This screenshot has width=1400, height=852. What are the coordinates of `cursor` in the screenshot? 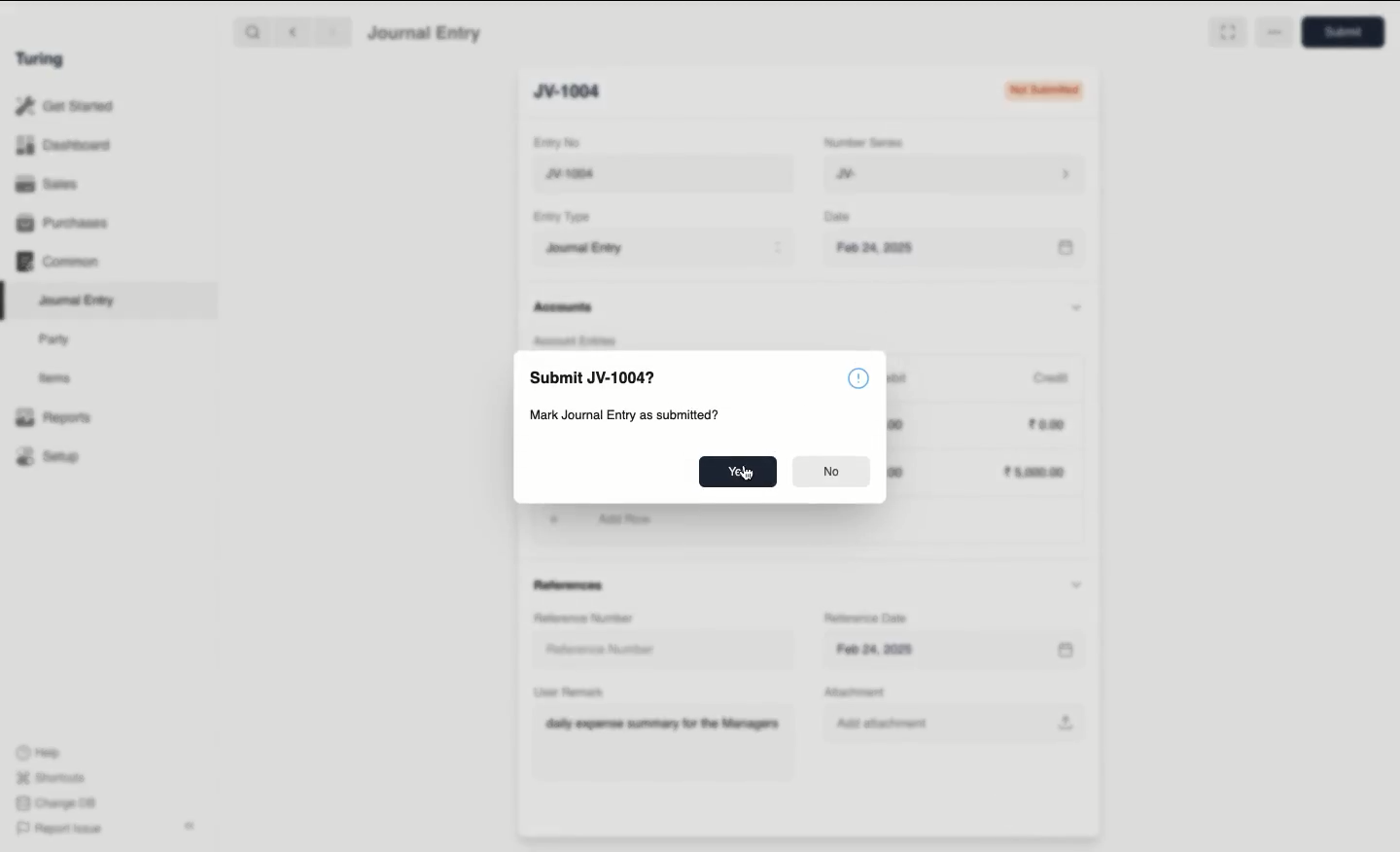 It's located at (751, 476).